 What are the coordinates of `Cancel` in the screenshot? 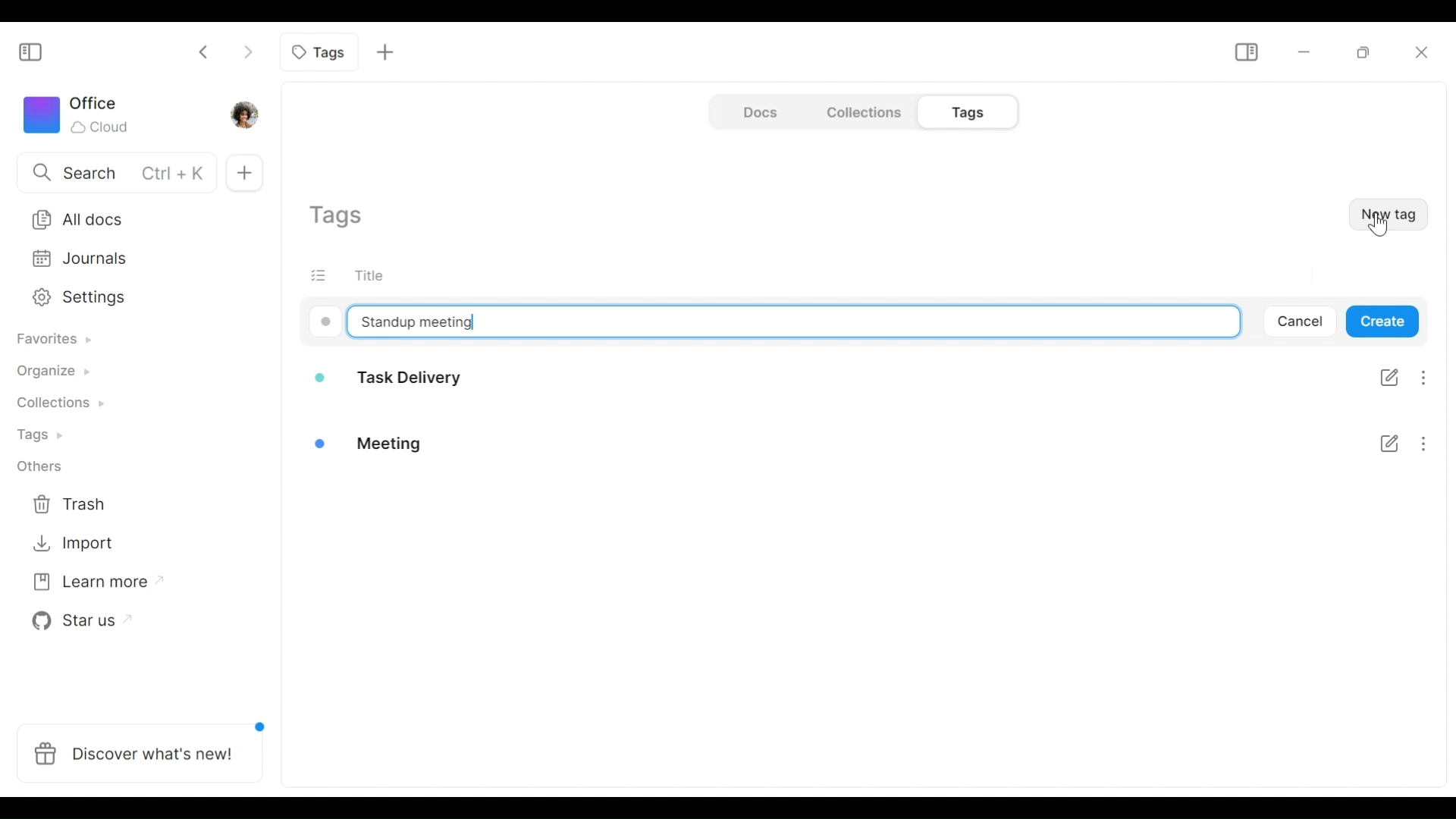 It's located at (1304, 323).